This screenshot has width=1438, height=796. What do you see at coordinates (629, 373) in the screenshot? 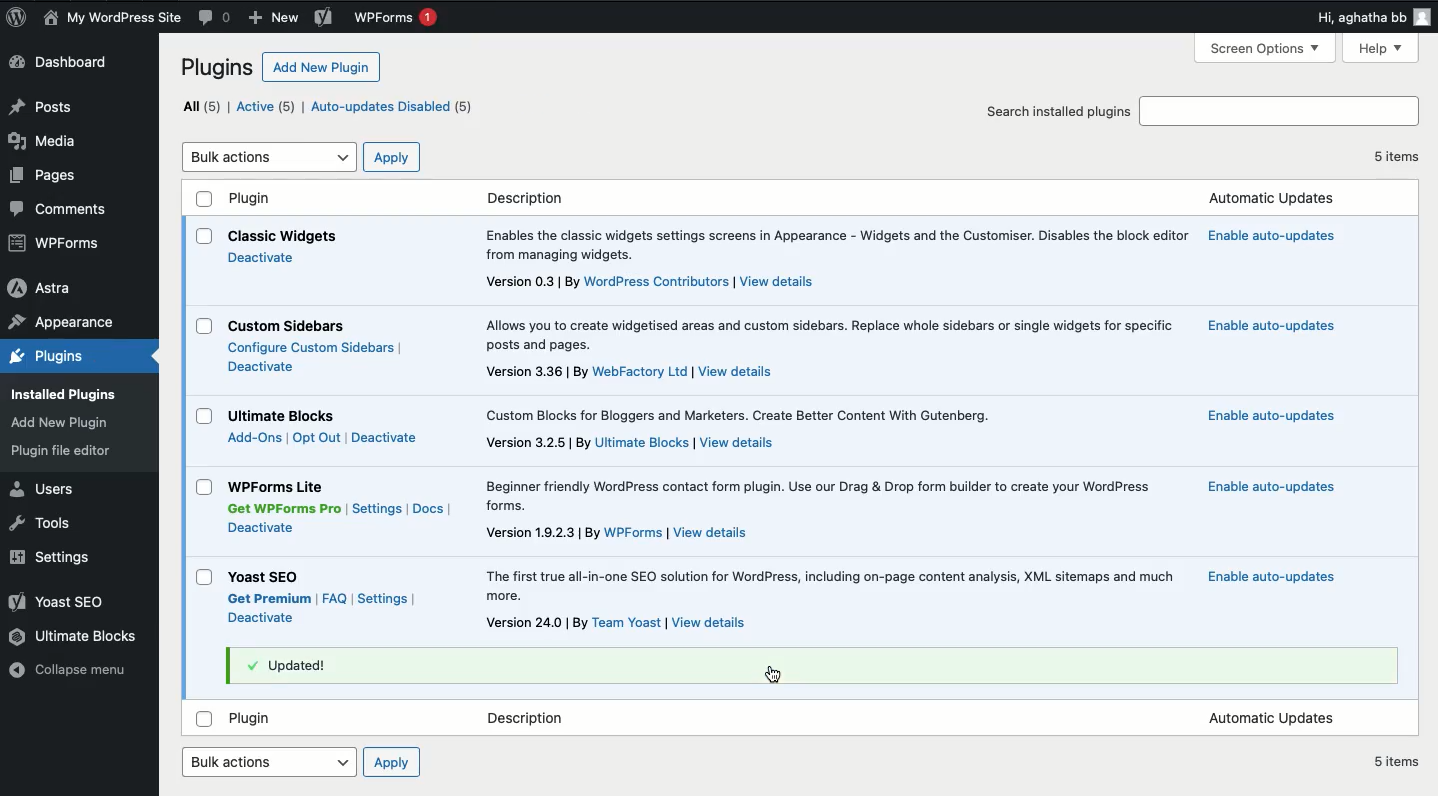
I see `Description` at bounding box center [629, 373].